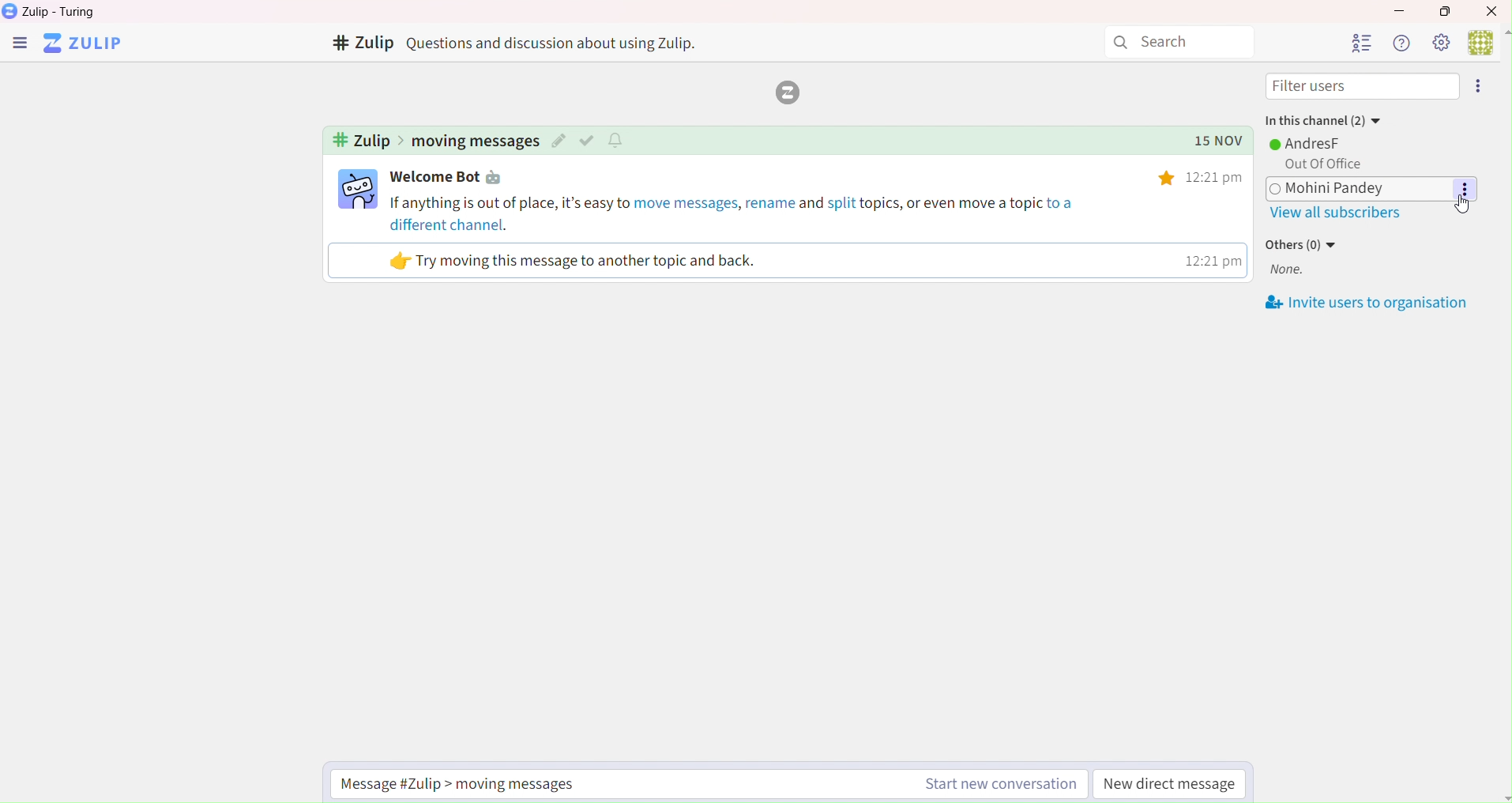 The width and height of the screenshot is (1512, 803). What do you see at coordinates (1211, 141) in the screenshot?
I see `15 NOV` at bounding box center [1211, 141].